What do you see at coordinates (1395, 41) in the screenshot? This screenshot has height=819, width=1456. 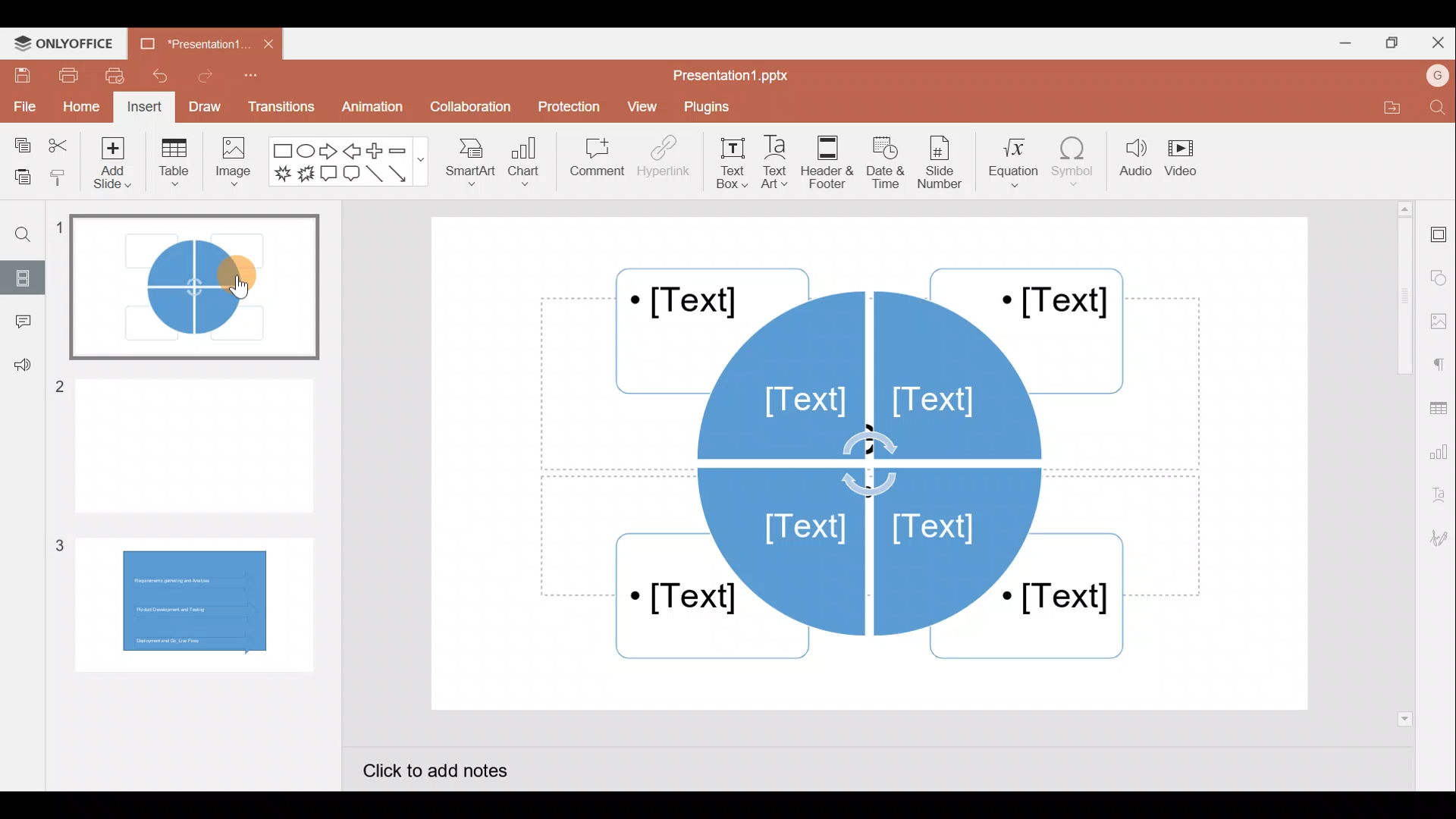 I see `Maximize` at bounding box center [1395, 41].